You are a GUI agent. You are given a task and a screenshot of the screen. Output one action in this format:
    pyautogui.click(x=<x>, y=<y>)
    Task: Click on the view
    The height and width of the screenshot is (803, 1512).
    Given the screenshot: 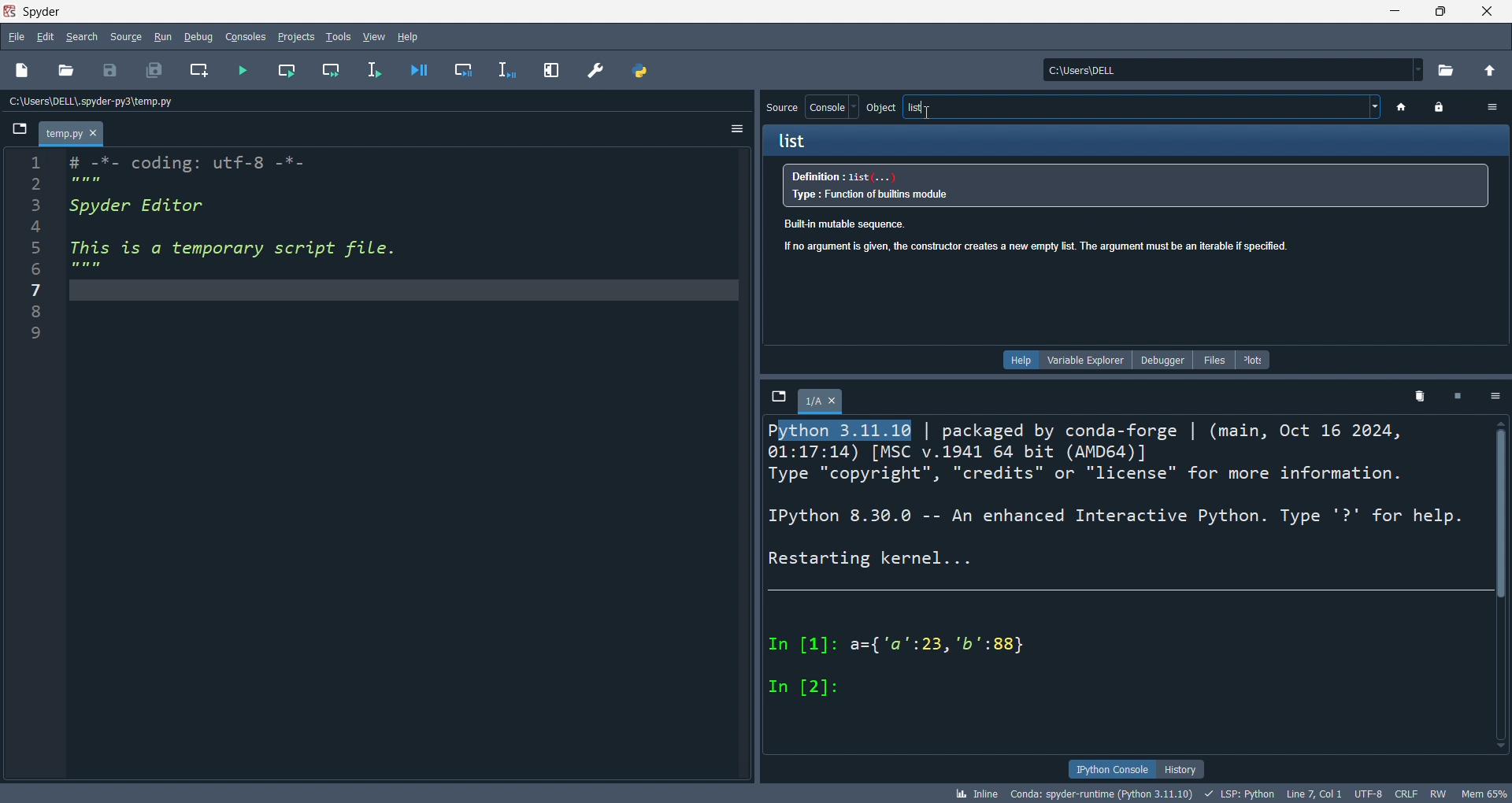 What is the action you would take?
    pyautogui.click(x=372, y=36)
    